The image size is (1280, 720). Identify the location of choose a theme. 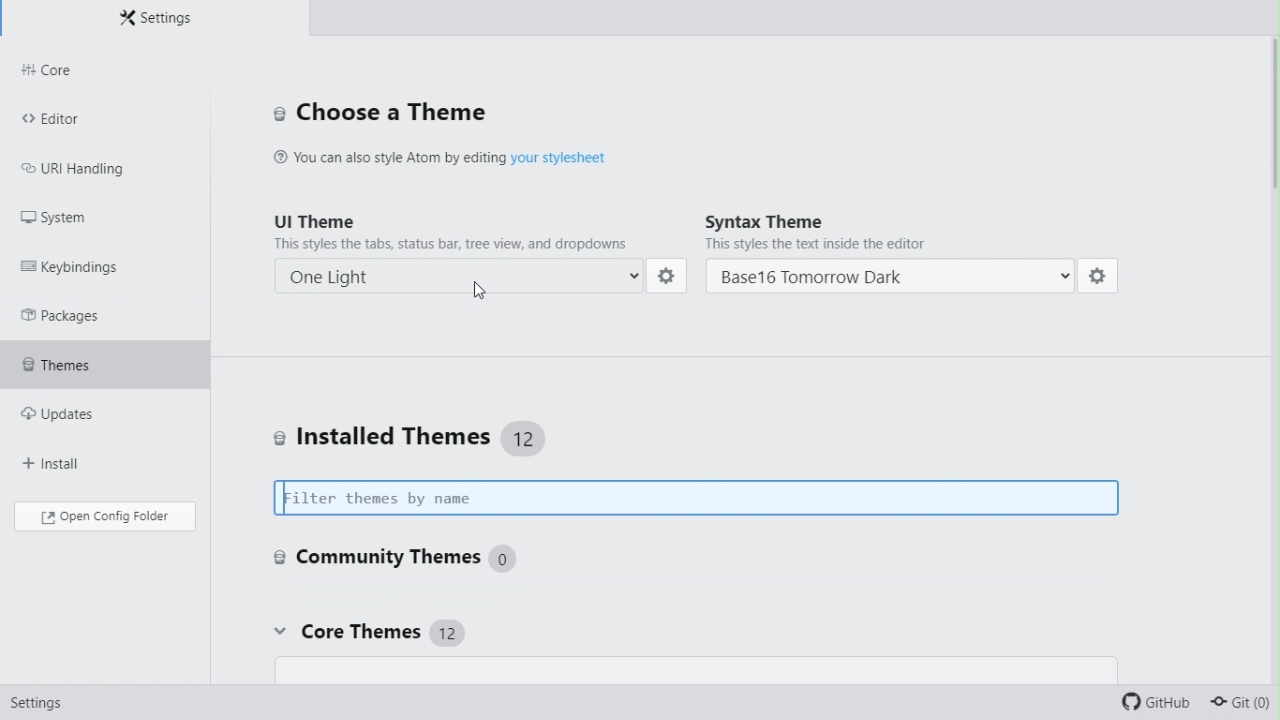
(379, 114).